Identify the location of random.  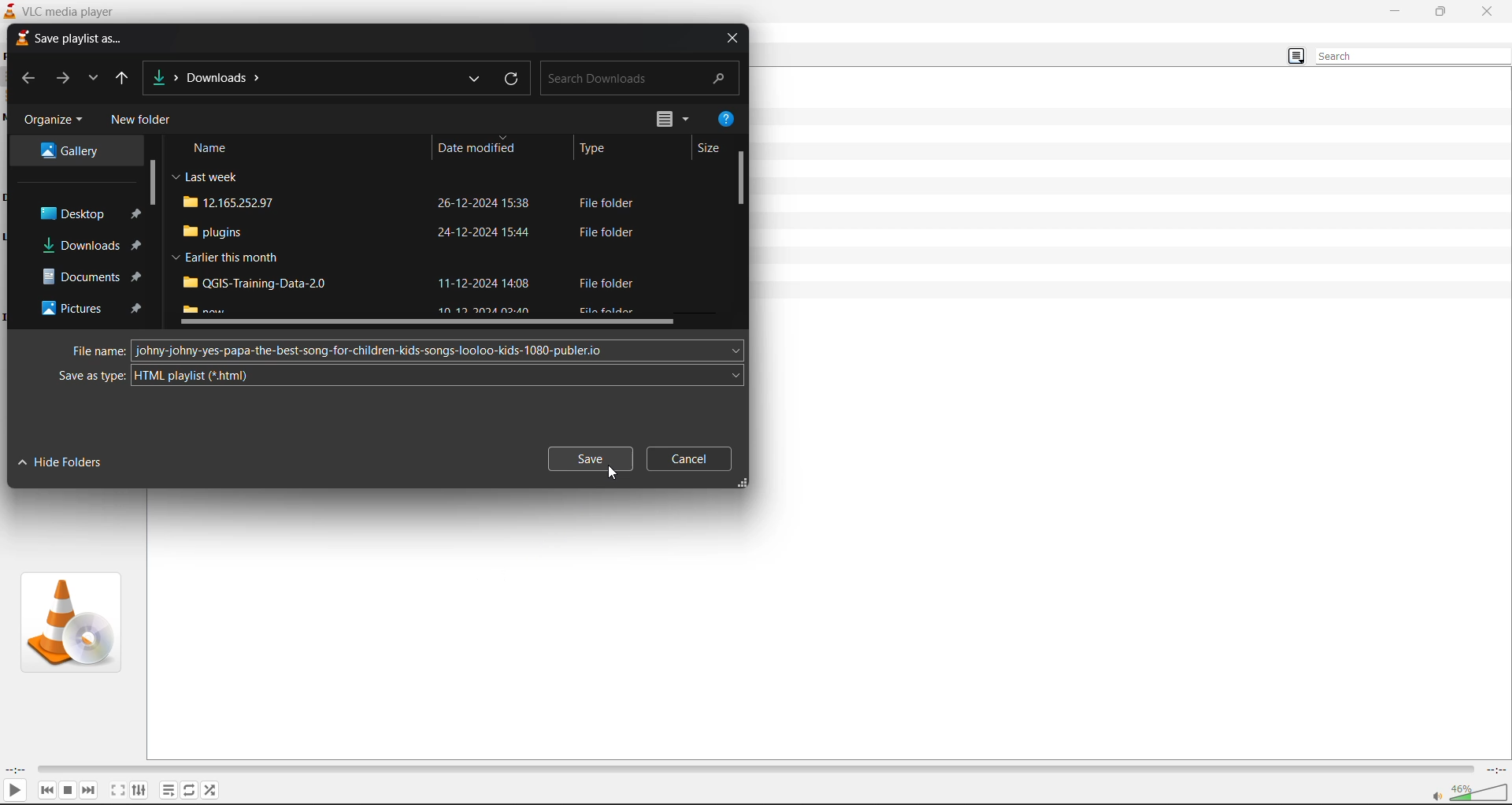
(214, 790).